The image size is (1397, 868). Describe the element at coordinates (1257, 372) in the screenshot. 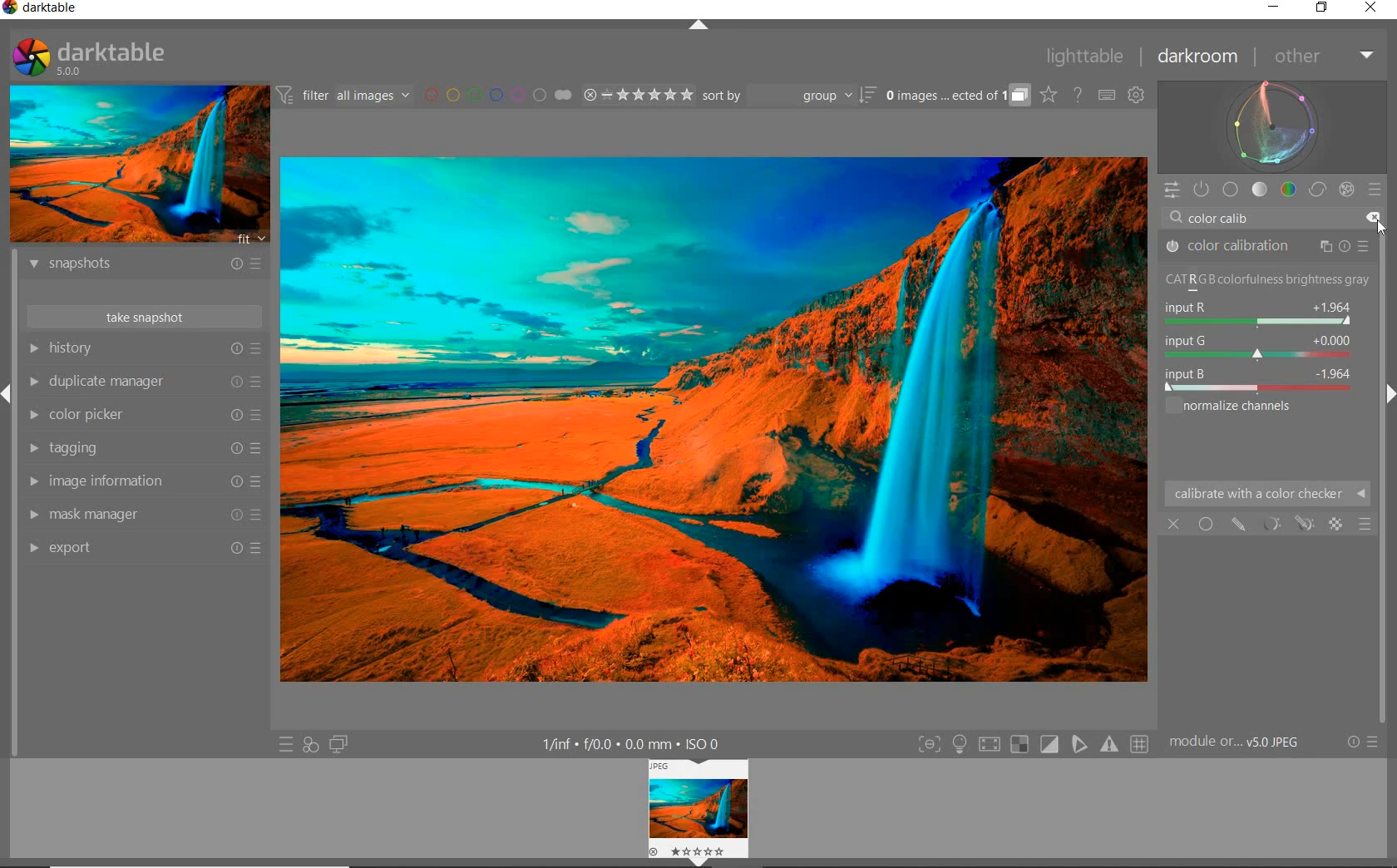

I see `INPUT B` at that location.